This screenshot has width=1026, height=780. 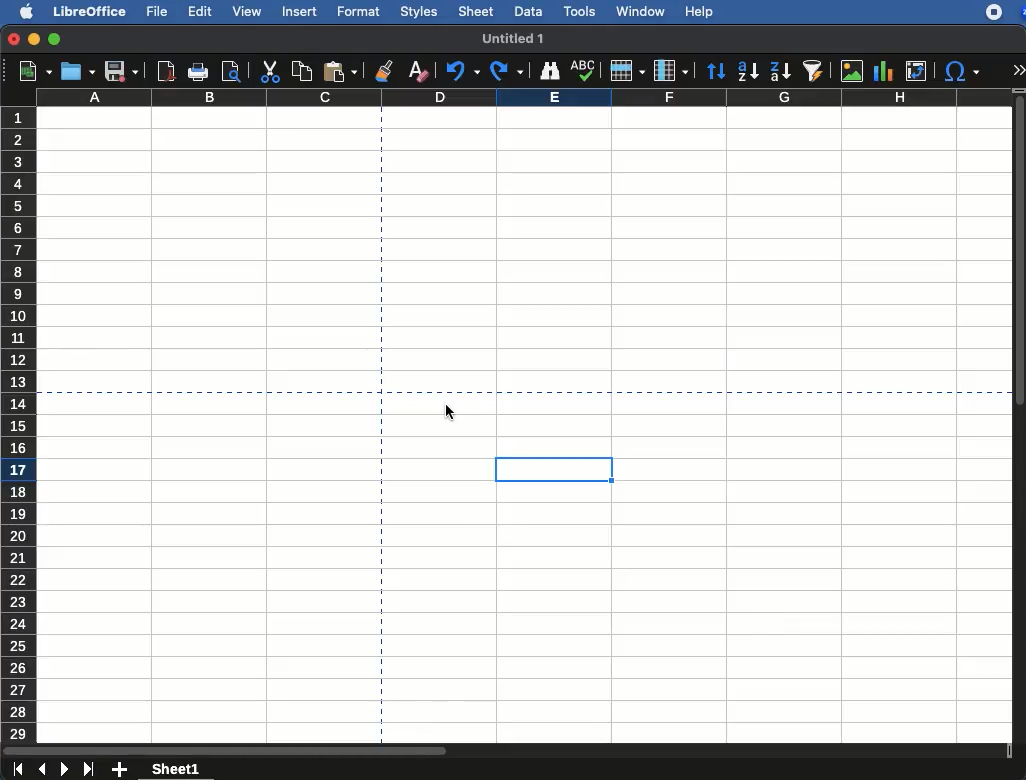 I want to click on column, so click(x=670, y=69).